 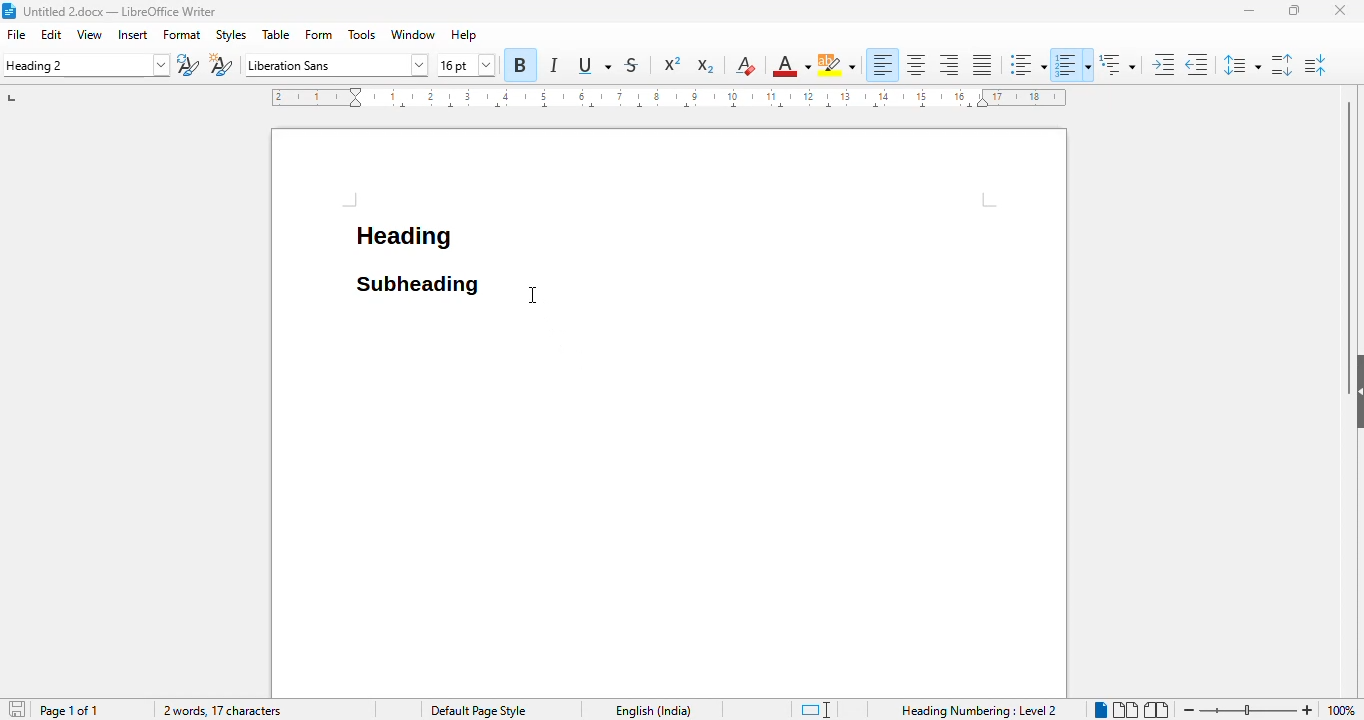 What do you see at coordinates (1281, 65) in the screenshot?
I see `increase paragraph spacing` at bounding box center [1281, 65].